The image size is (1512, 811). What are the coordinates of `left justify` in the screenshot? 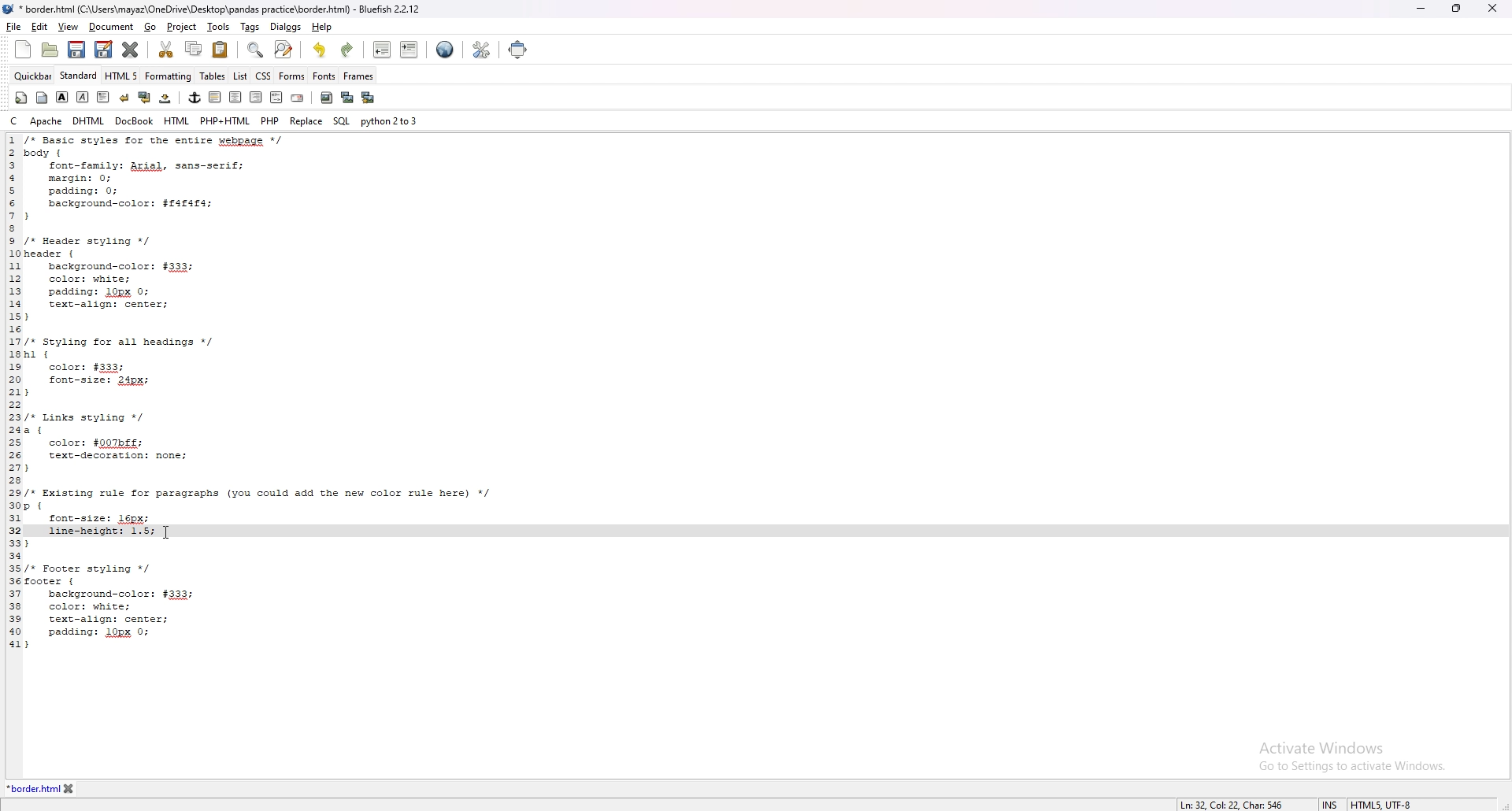 It's located at (216, 97).